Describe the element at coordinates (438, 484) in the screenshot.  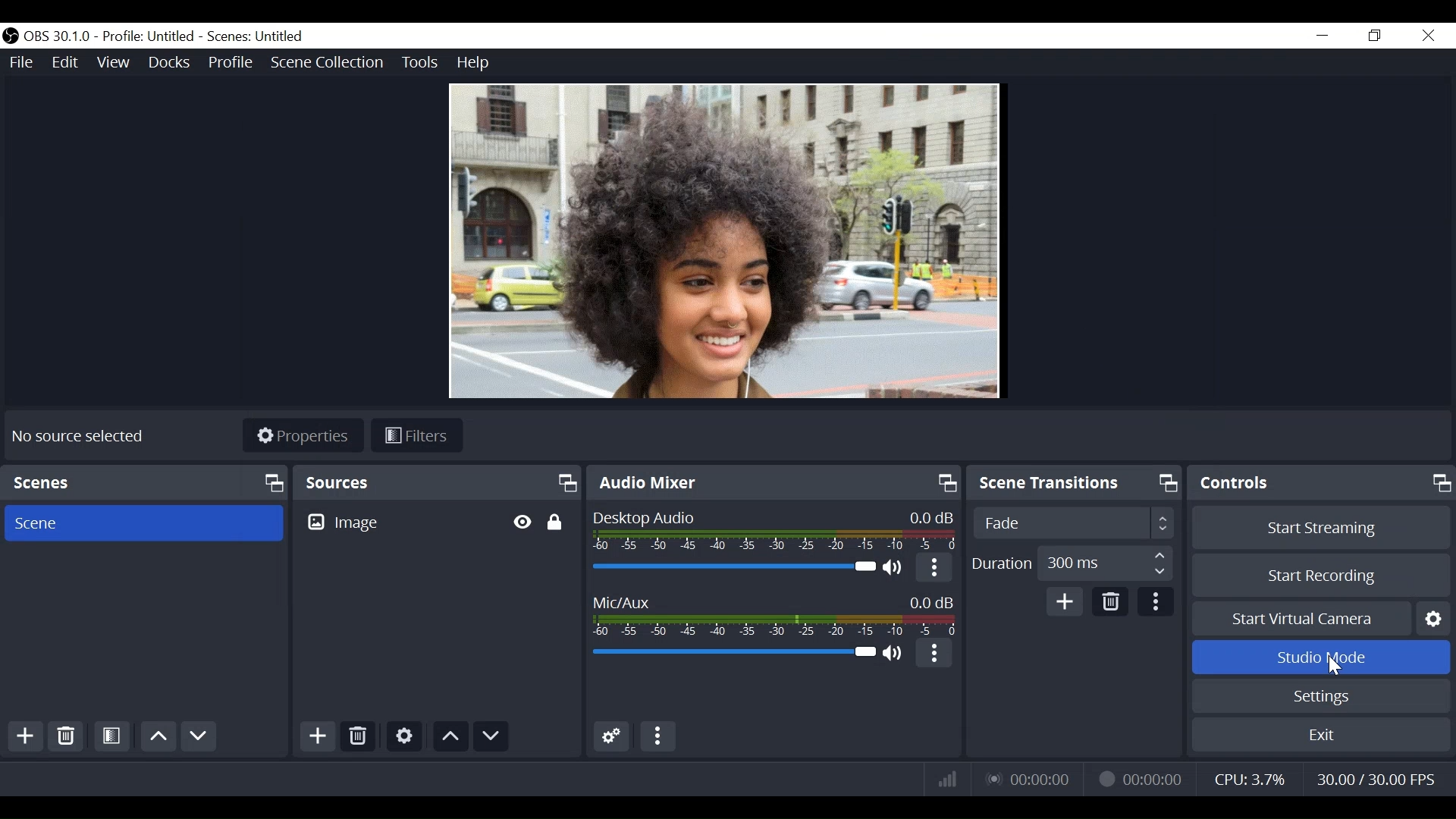
I see `Sources` at that location.